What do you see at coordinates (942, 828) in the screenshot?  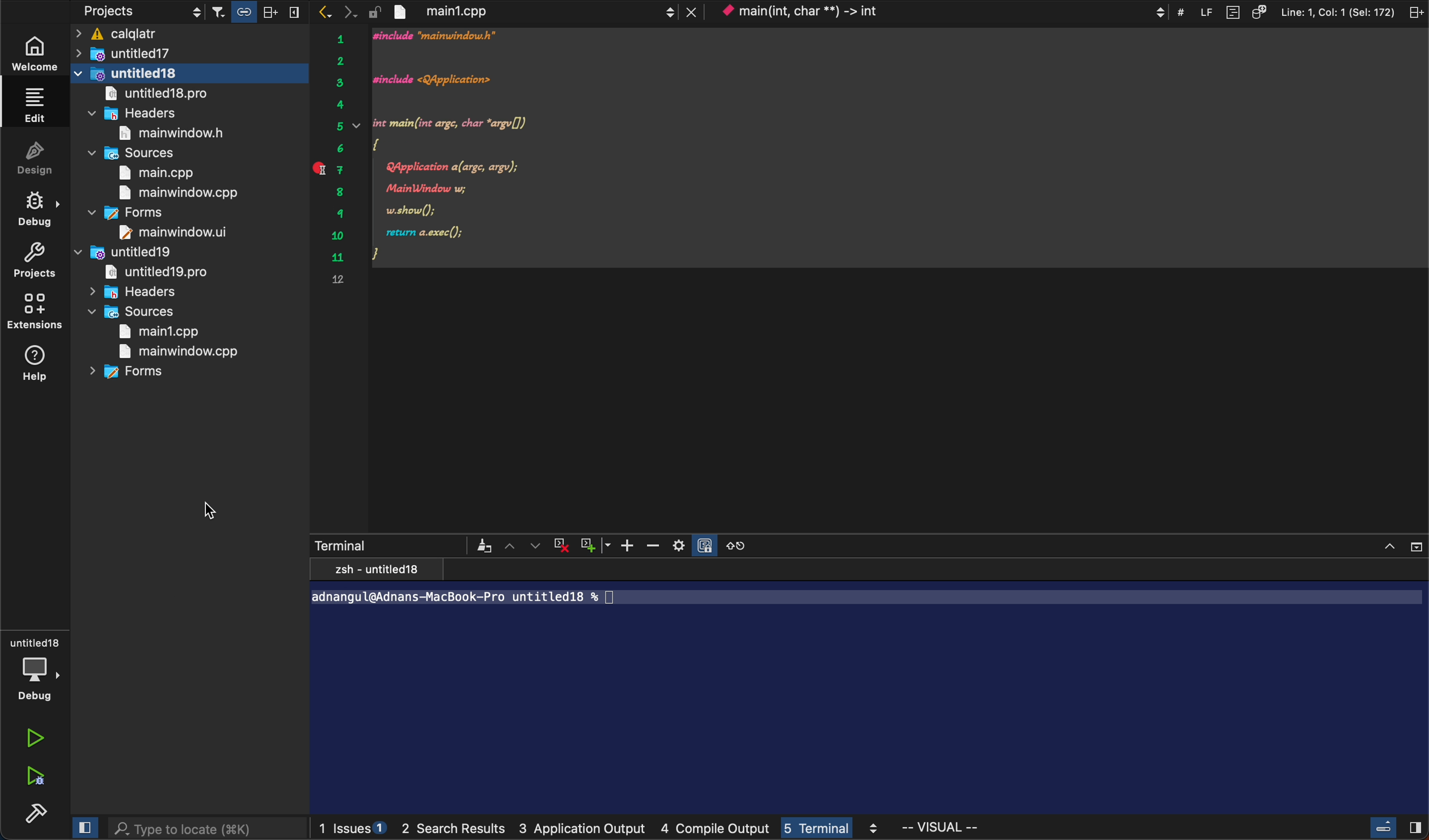 I see `visual` at bounding box center [942, 828].